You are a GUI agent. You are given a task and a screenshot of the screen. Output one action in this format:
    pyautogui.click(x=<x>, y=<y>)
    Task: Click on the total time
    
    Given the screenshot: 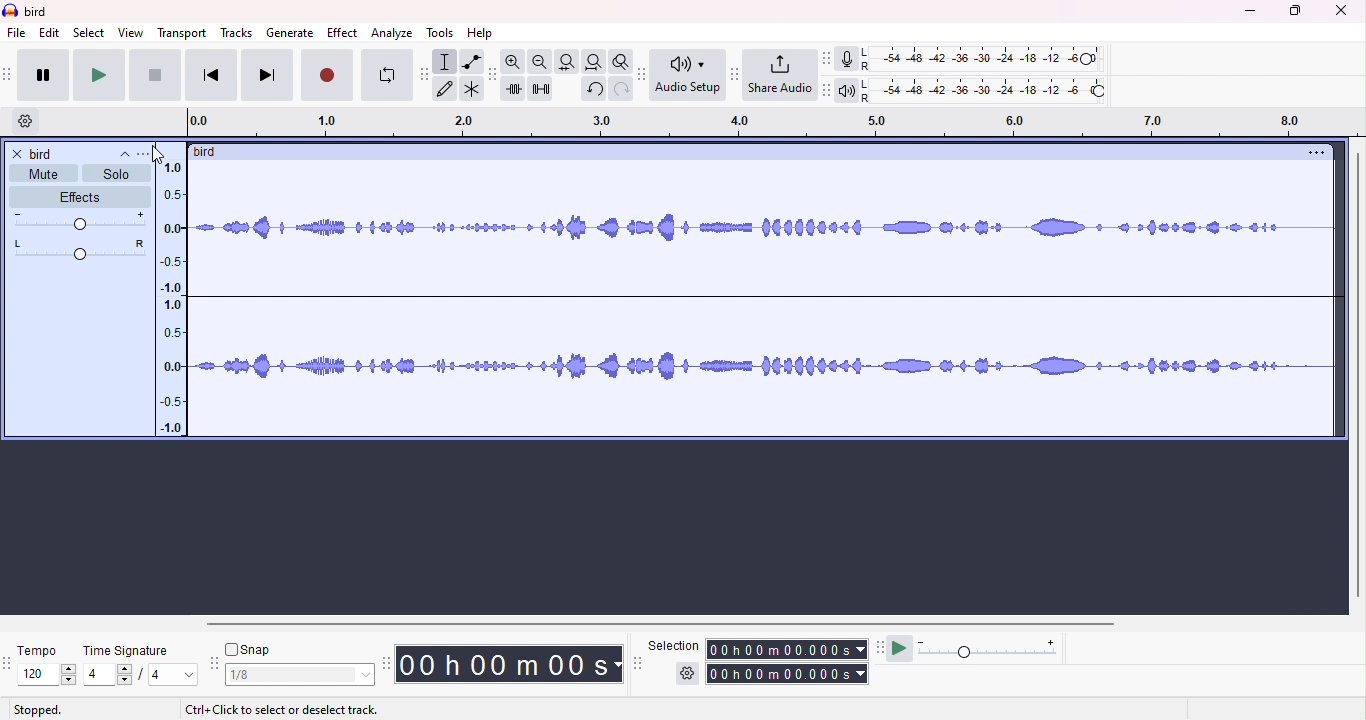 What is the action you would take?
    pyautogui.click(x=789, y=674)
    